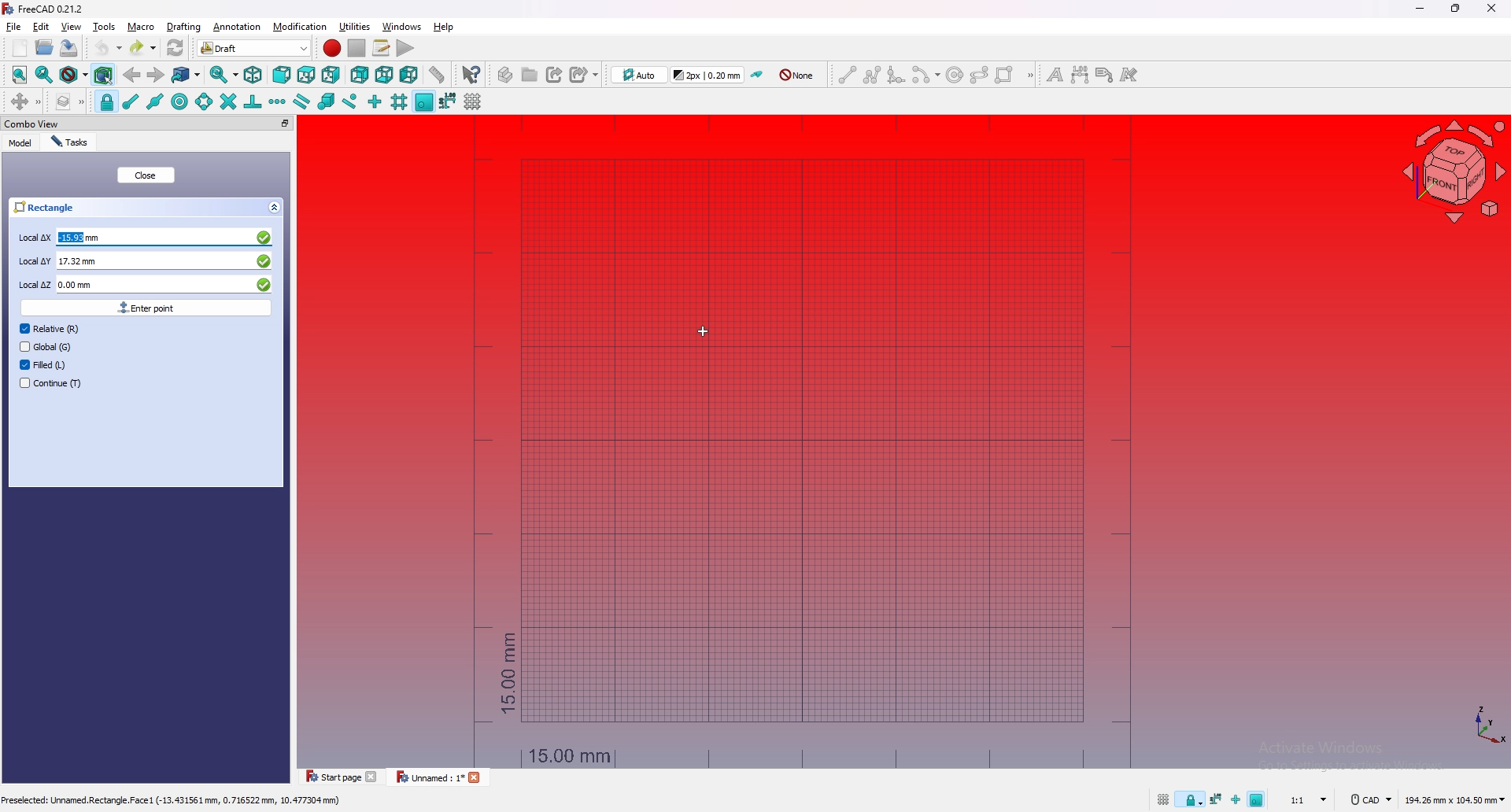  What do you see at coordinates (1162, 800) in the screenshot?
I see `toggle grid` at bounding box center [1162, 800].